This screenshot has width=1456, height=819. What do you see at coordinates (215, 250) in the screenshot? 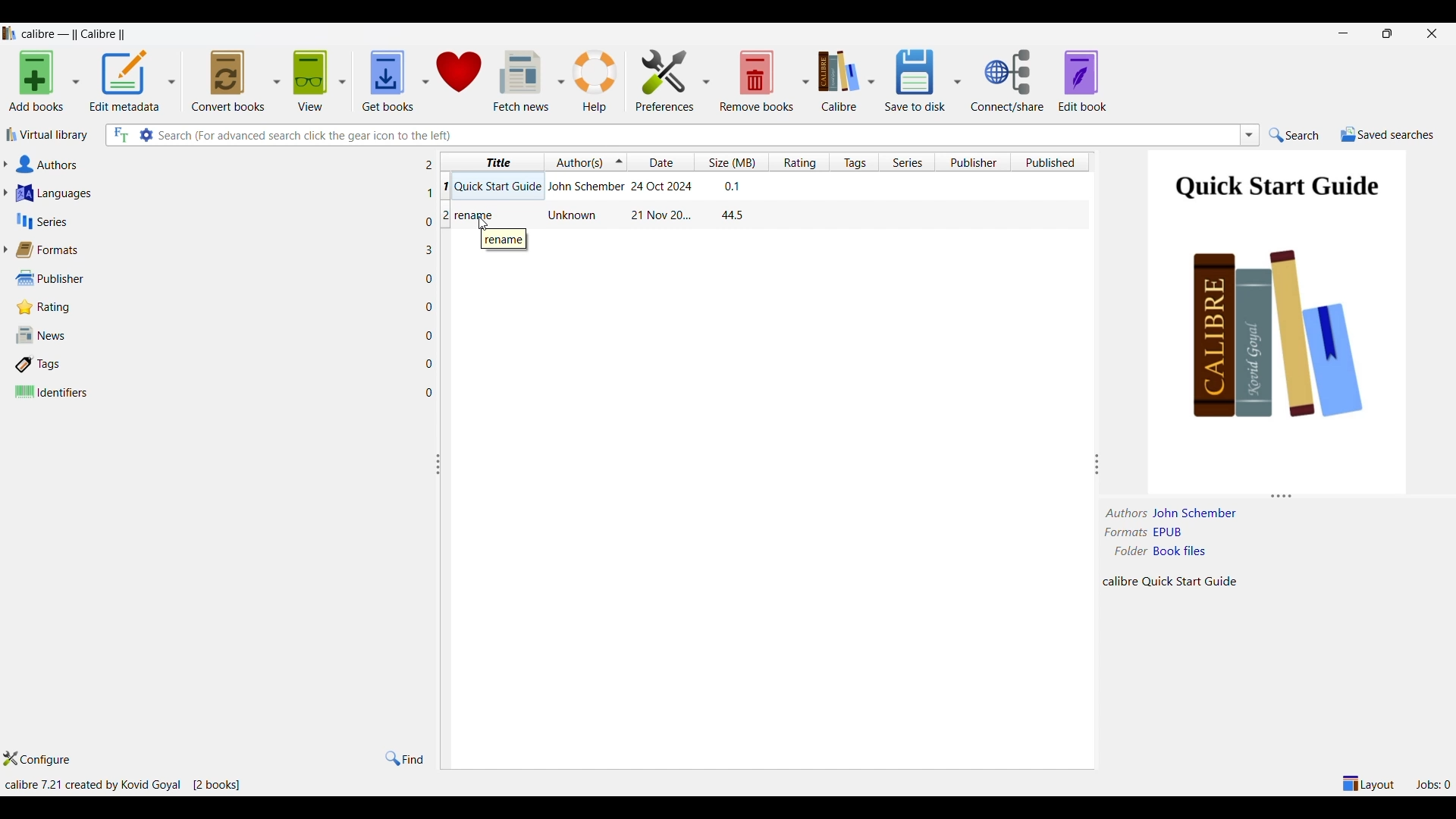
I see `Formats` at bounding box center [215, 250].